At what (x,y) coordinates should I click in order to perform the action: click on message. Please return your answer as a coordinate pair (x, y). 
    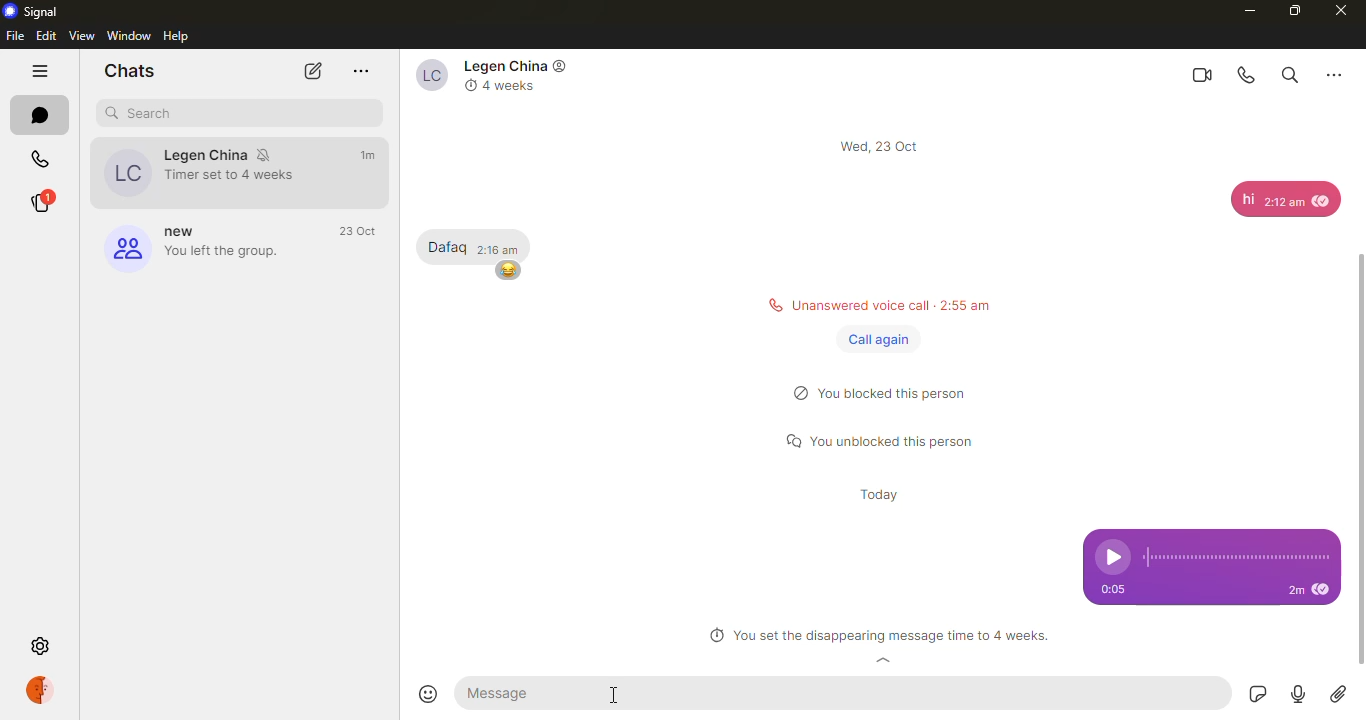
    Looking at the image, I should click on (521, 693).